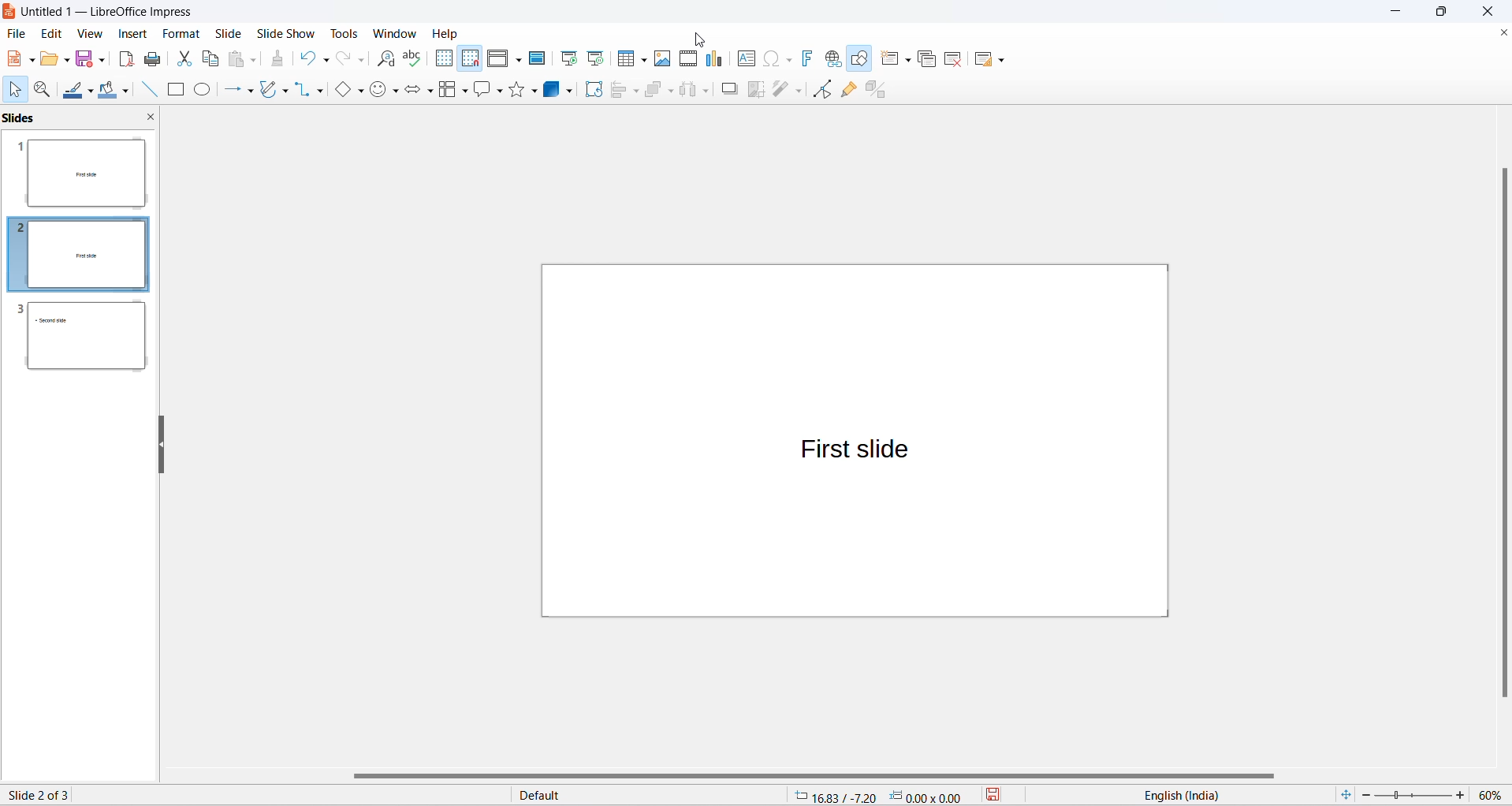 The height and width of the screenshot is (806, 1512). Describe the element at coordinates (991, 797) in the screenshot. I see `save` at that location.